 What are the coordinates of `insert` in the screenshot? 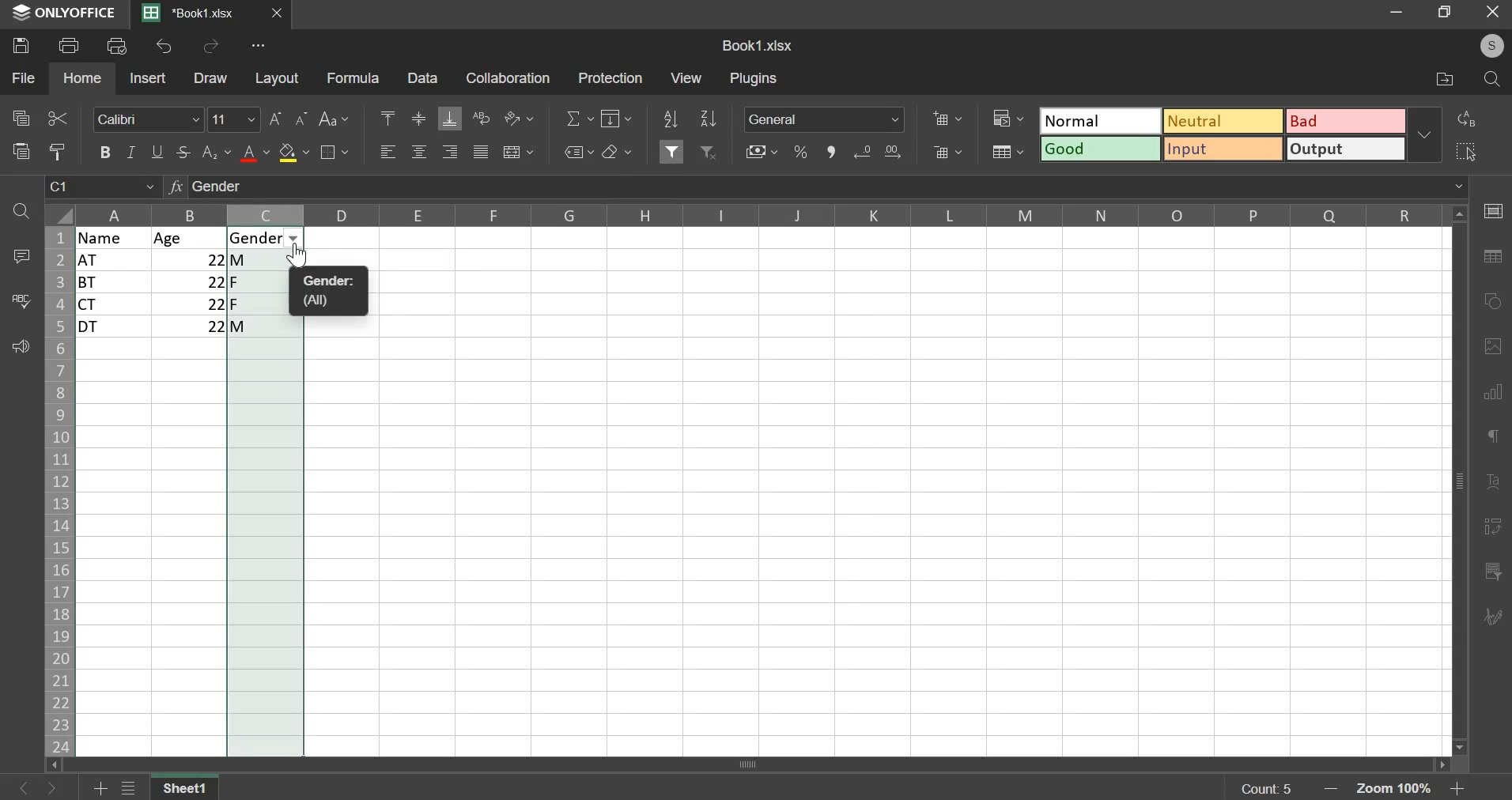 It's located at (148, 77).